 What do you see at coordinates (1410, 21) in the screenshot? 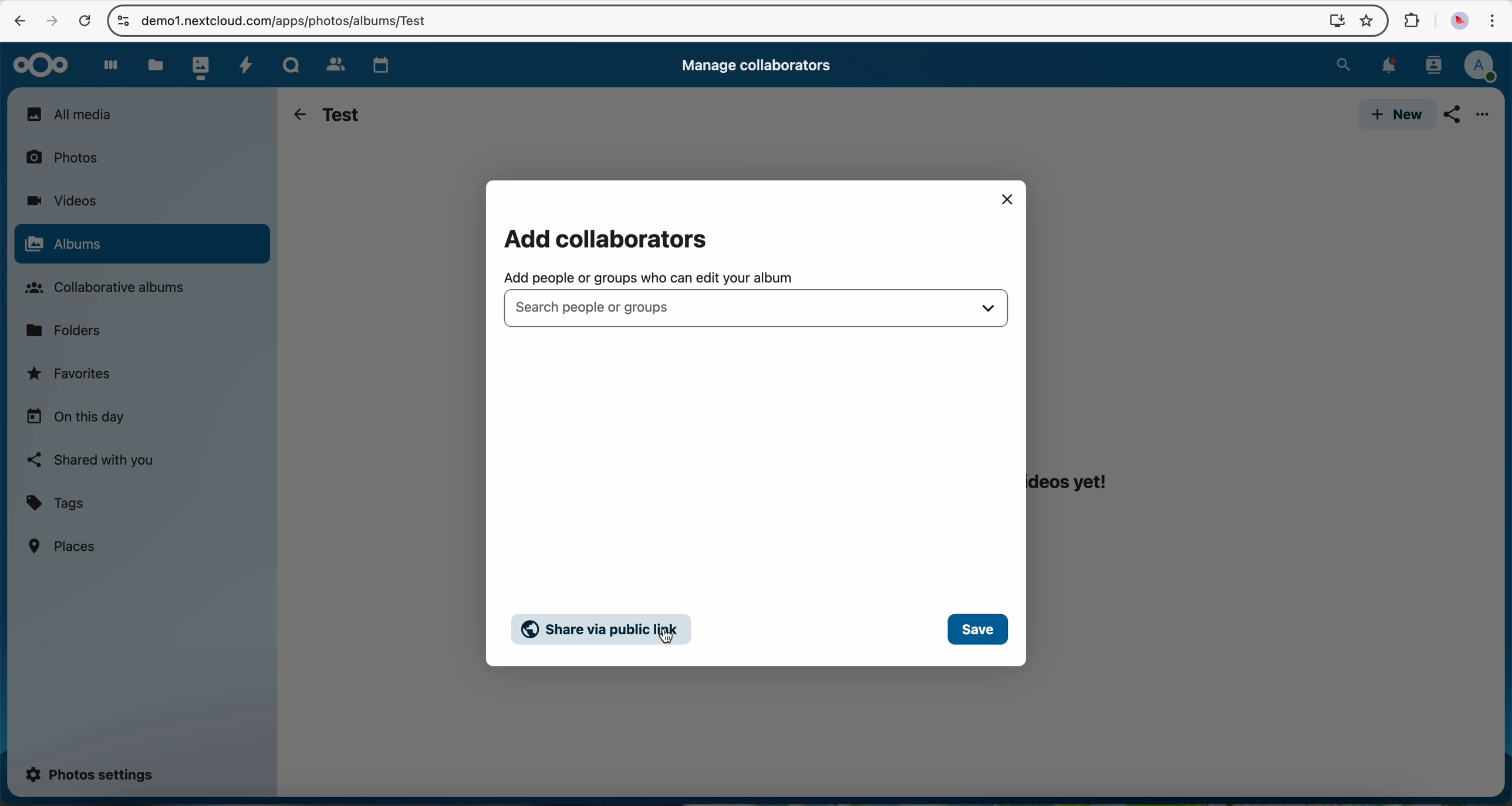
I see `extensions` at bounding box center [1410, 21].